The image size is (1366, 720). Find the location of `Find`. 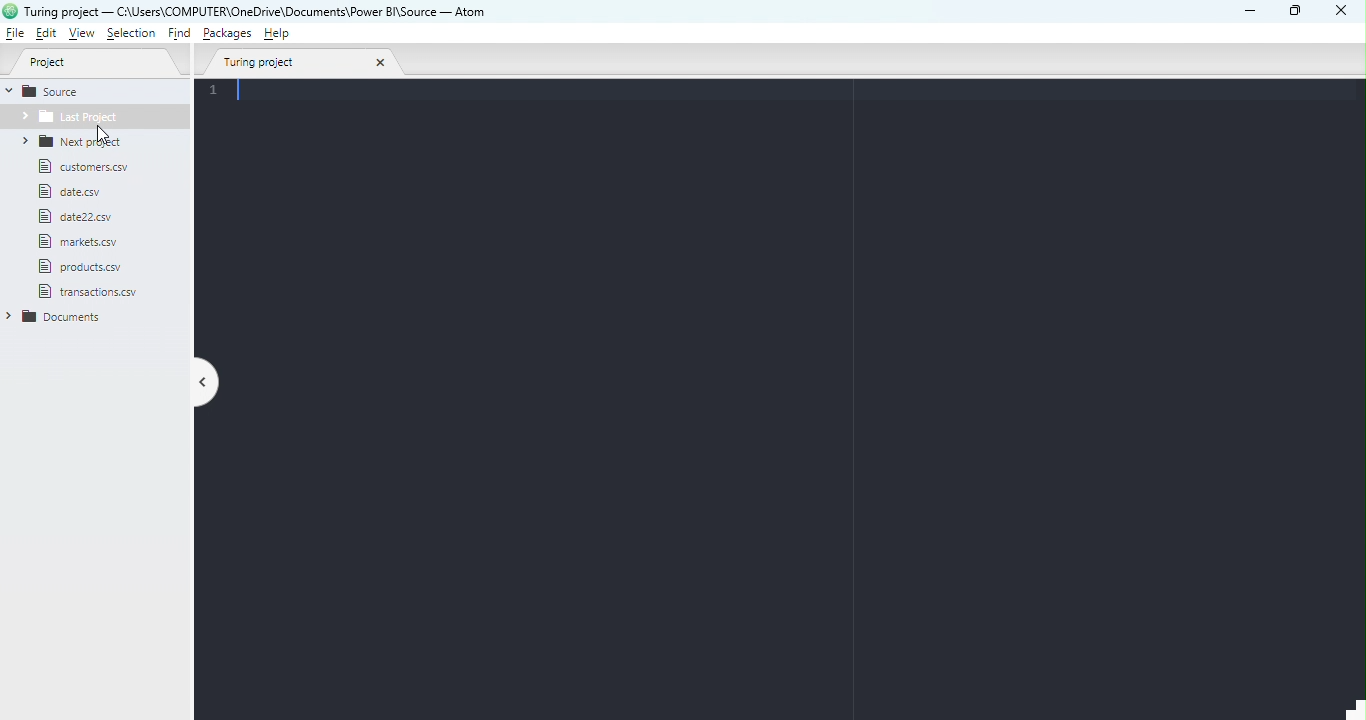

Find is located at coordinates (179, 35).